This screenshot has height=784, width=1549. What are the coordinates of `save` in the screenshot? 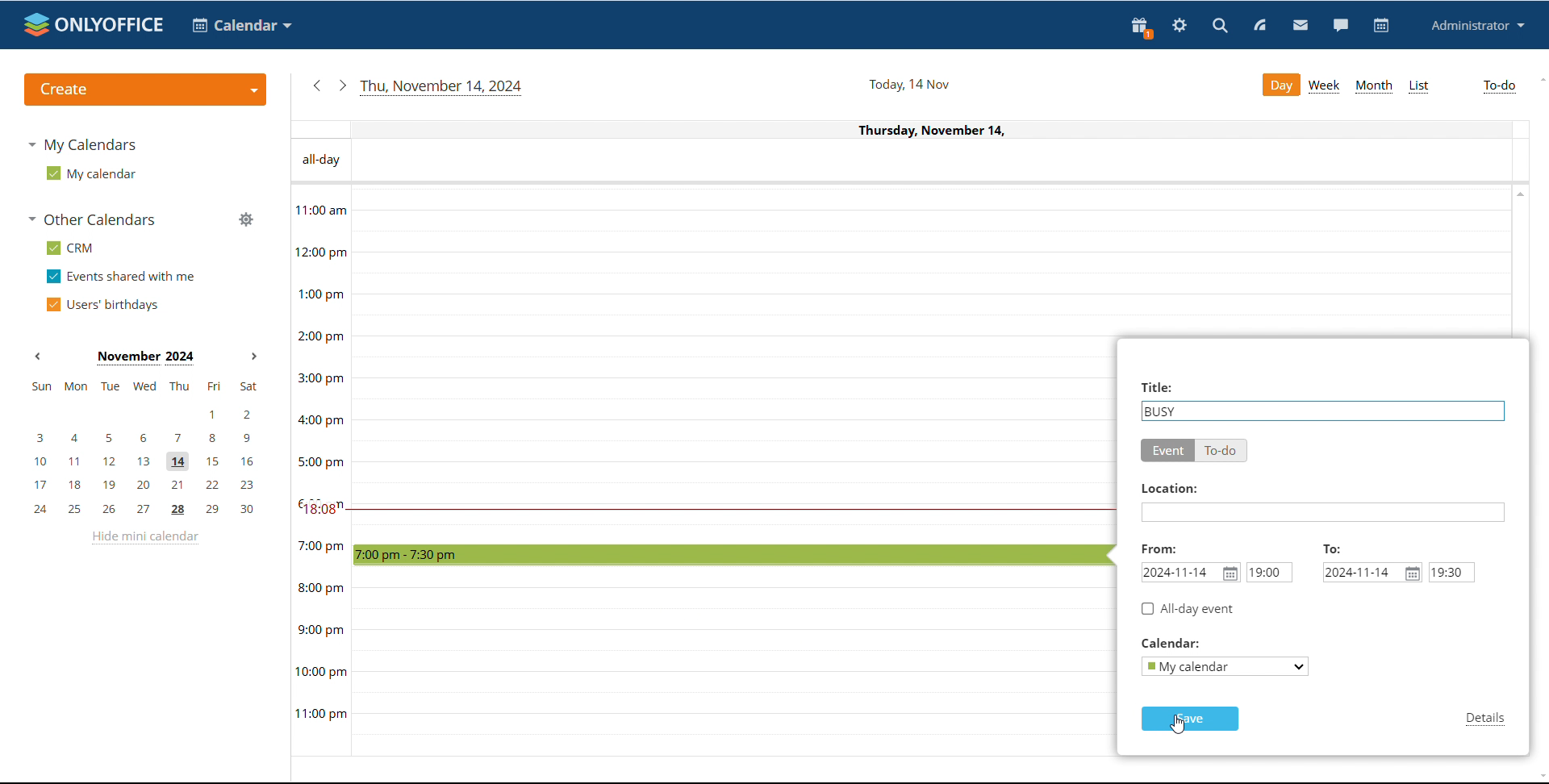 It's located at (1191, 719).